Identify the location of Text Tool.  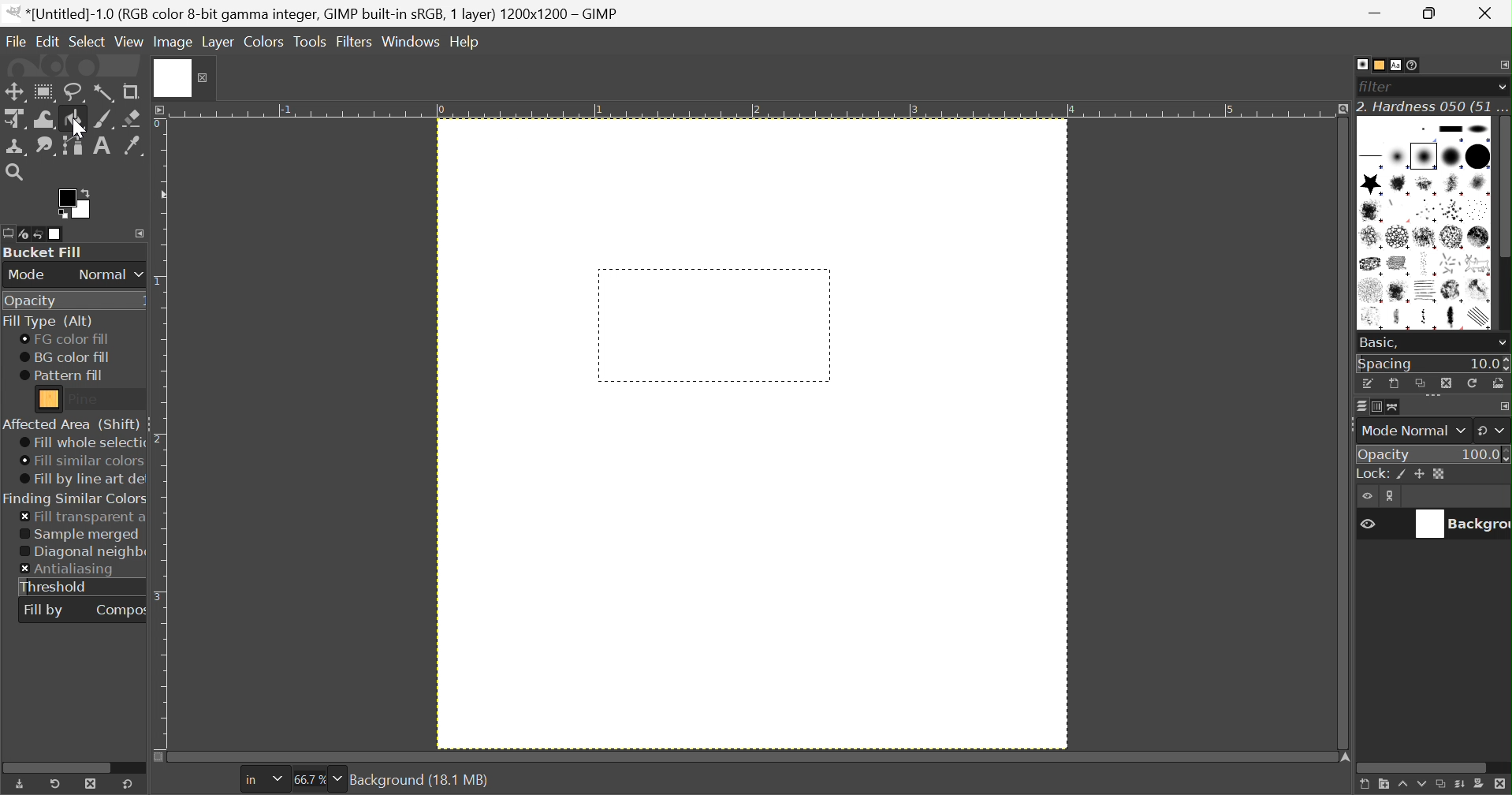
(102, 146).